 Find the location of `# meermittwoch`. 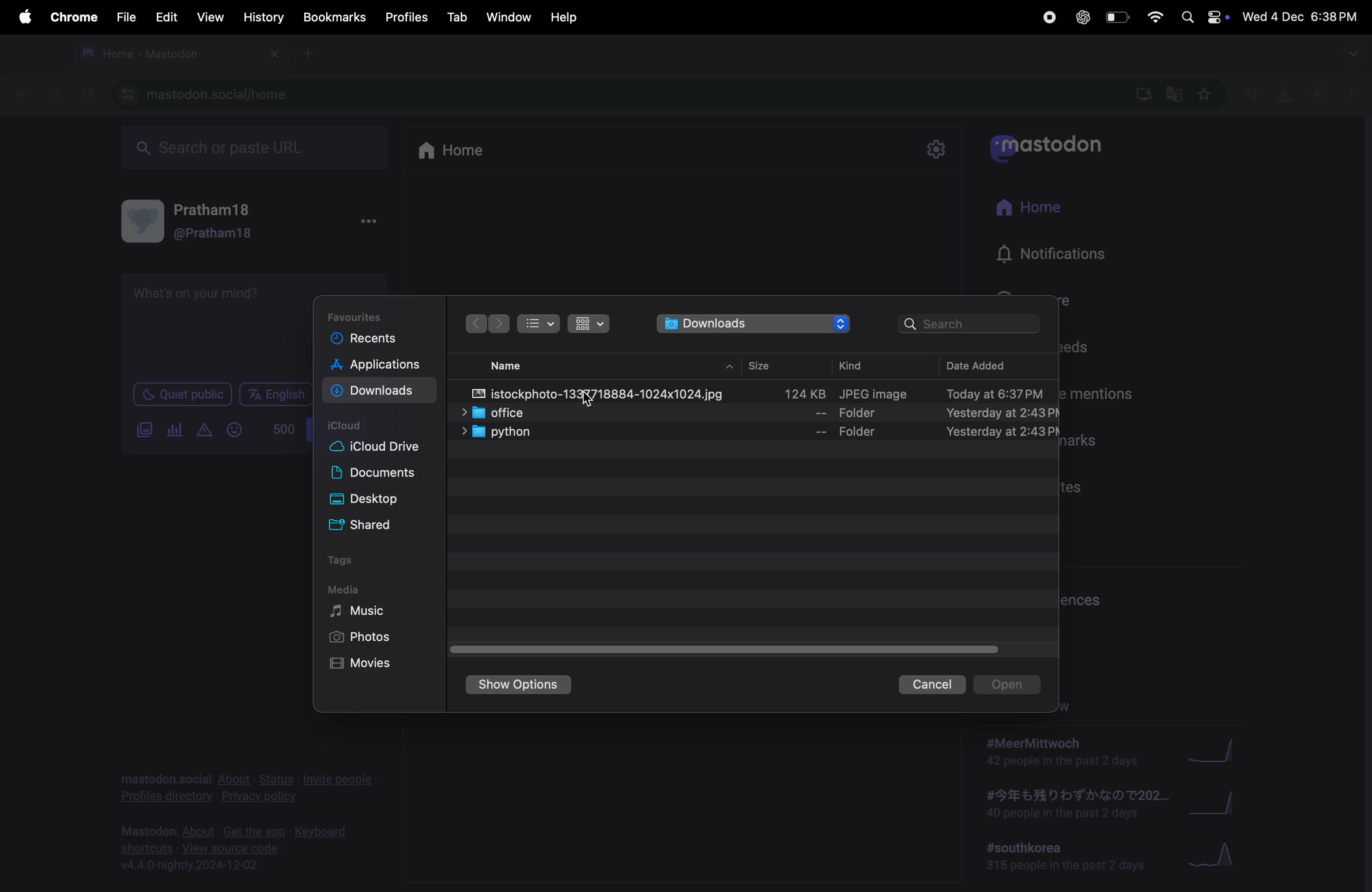

# meermittwoch is located at coordinates (1061, 752).